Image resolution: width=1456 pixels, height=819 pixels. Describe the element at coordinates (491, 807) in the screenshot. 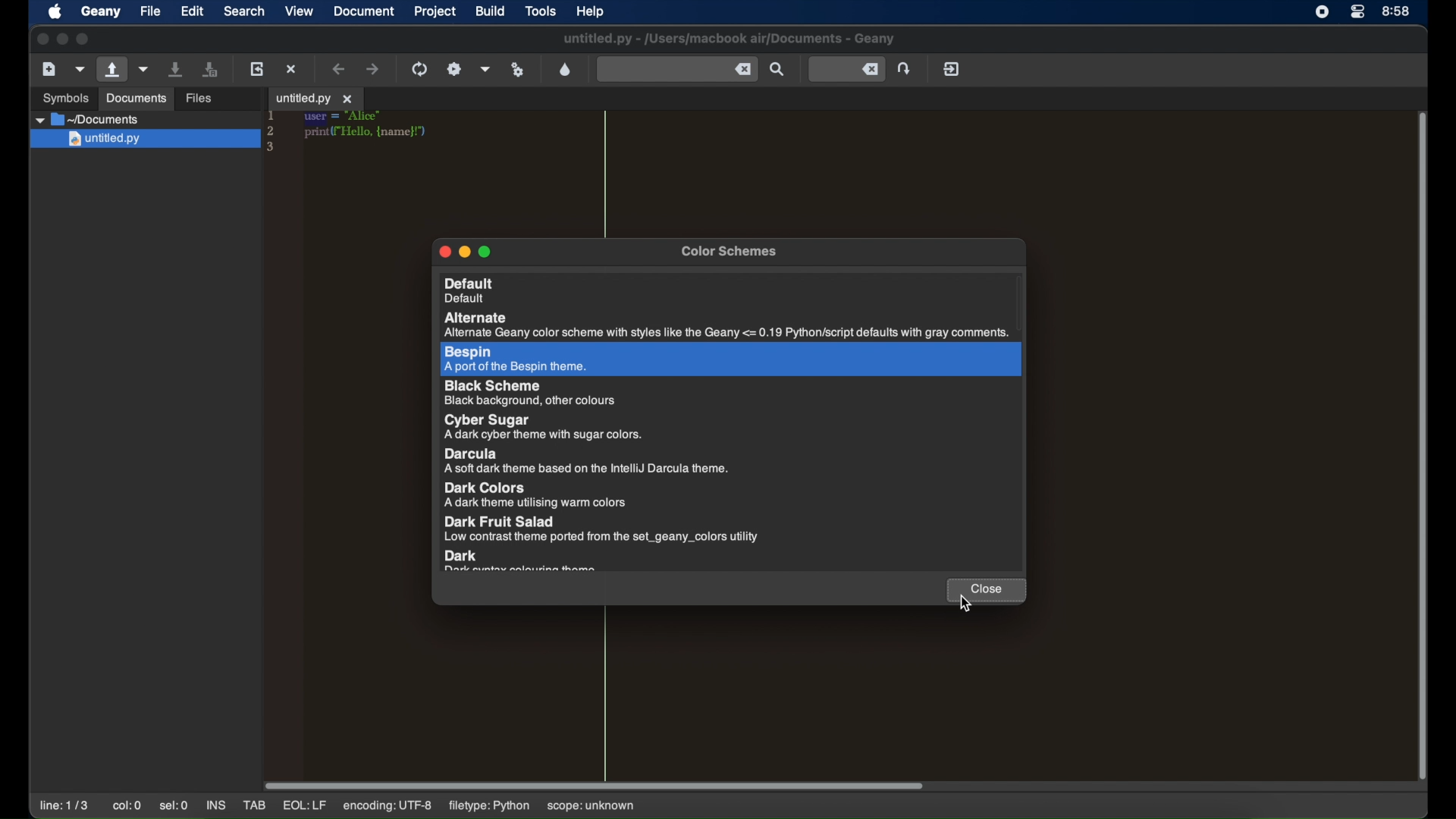

I see `filetype: python` at that location.